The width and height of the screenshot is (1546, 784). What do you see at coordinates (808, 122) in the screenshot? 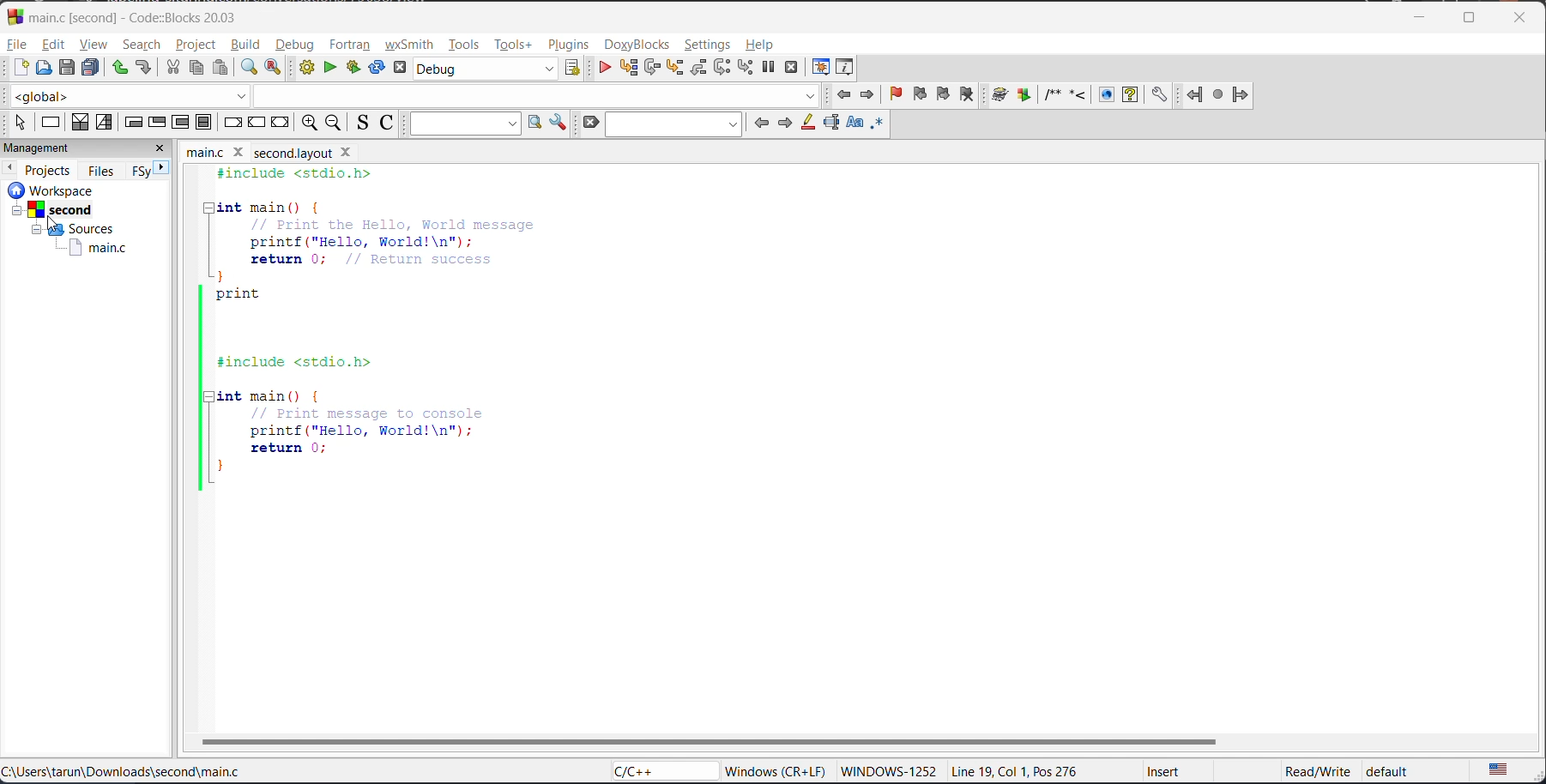
I see `highlight` at bounding box center [808, 122].